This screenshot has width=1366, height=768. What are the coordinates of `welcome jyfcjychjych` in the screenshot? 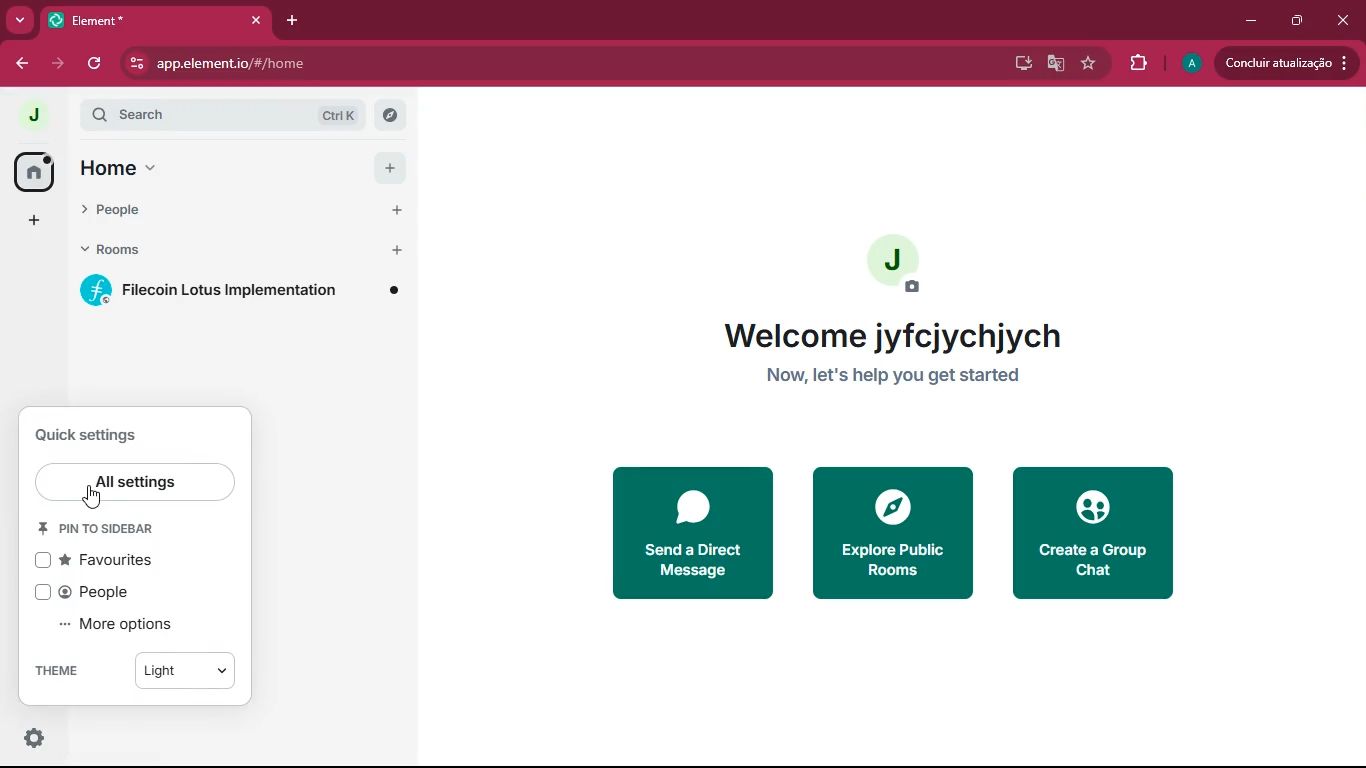 It's located at (896, 337).